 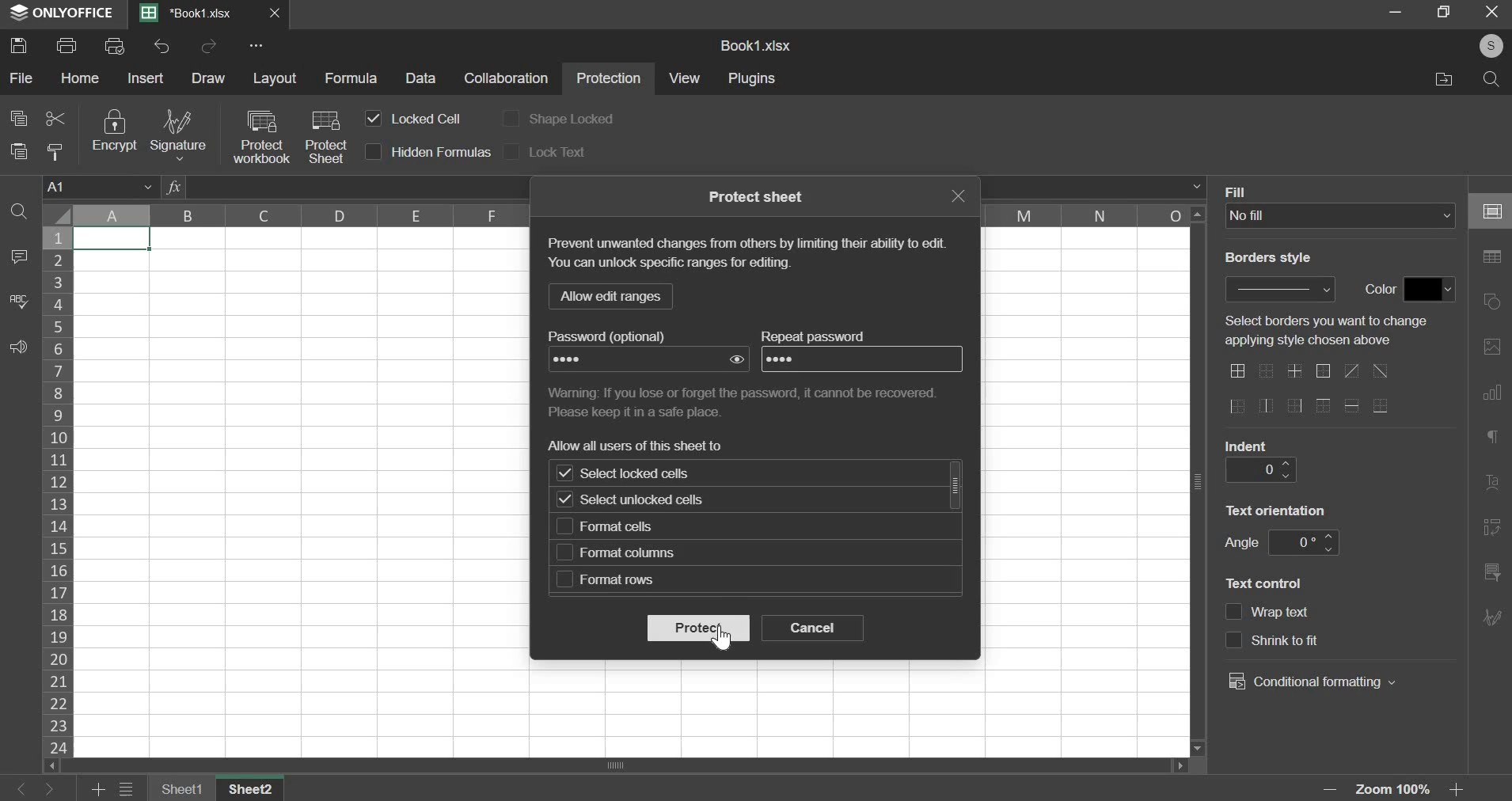 I want to click on indent, so click(x=1246, y=445).